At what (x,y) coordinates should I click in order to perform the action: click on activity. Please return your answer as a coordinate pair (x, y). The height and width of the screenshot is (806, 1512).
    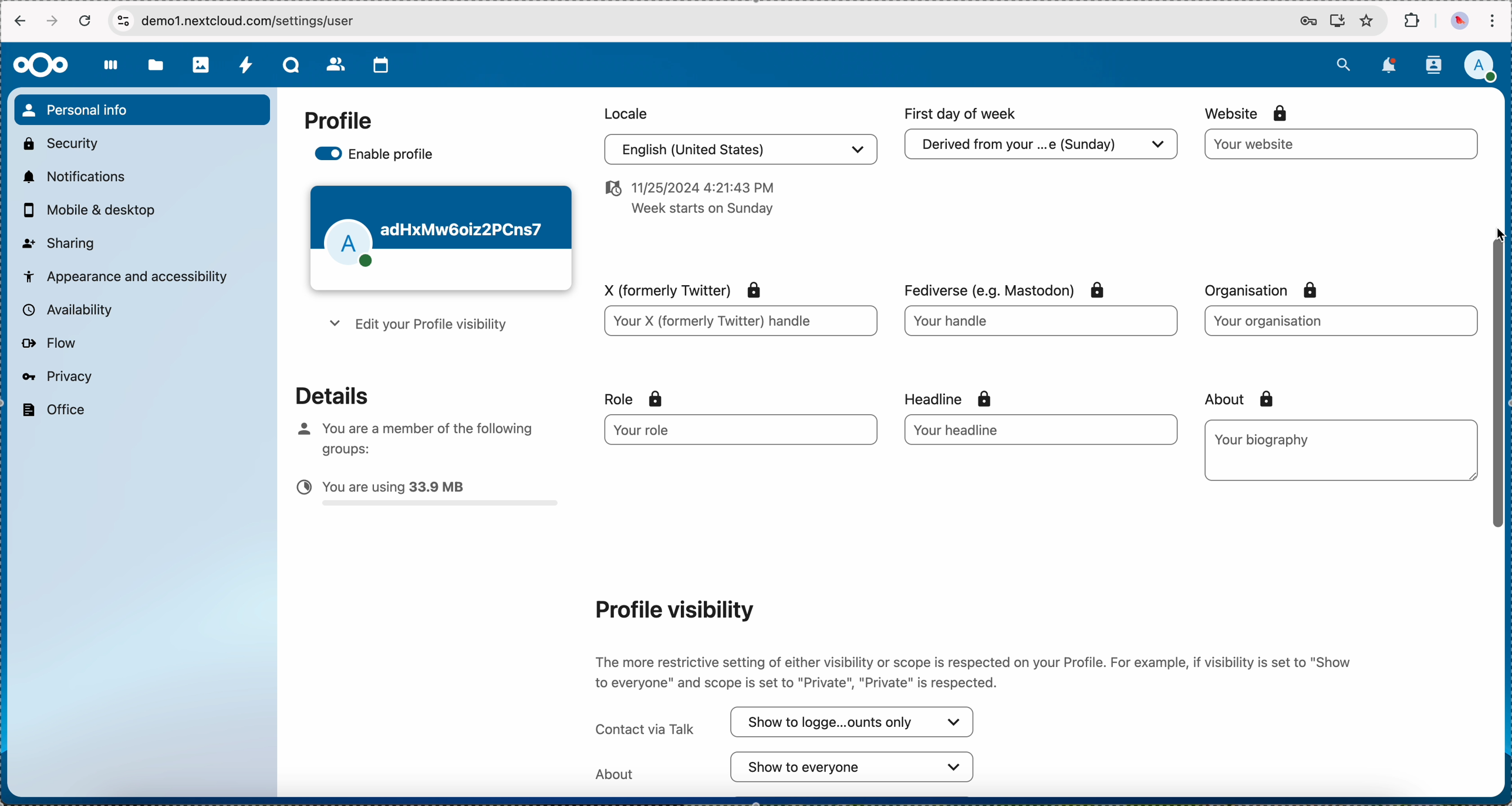
    Looking at the image, I should click on (247, 66).